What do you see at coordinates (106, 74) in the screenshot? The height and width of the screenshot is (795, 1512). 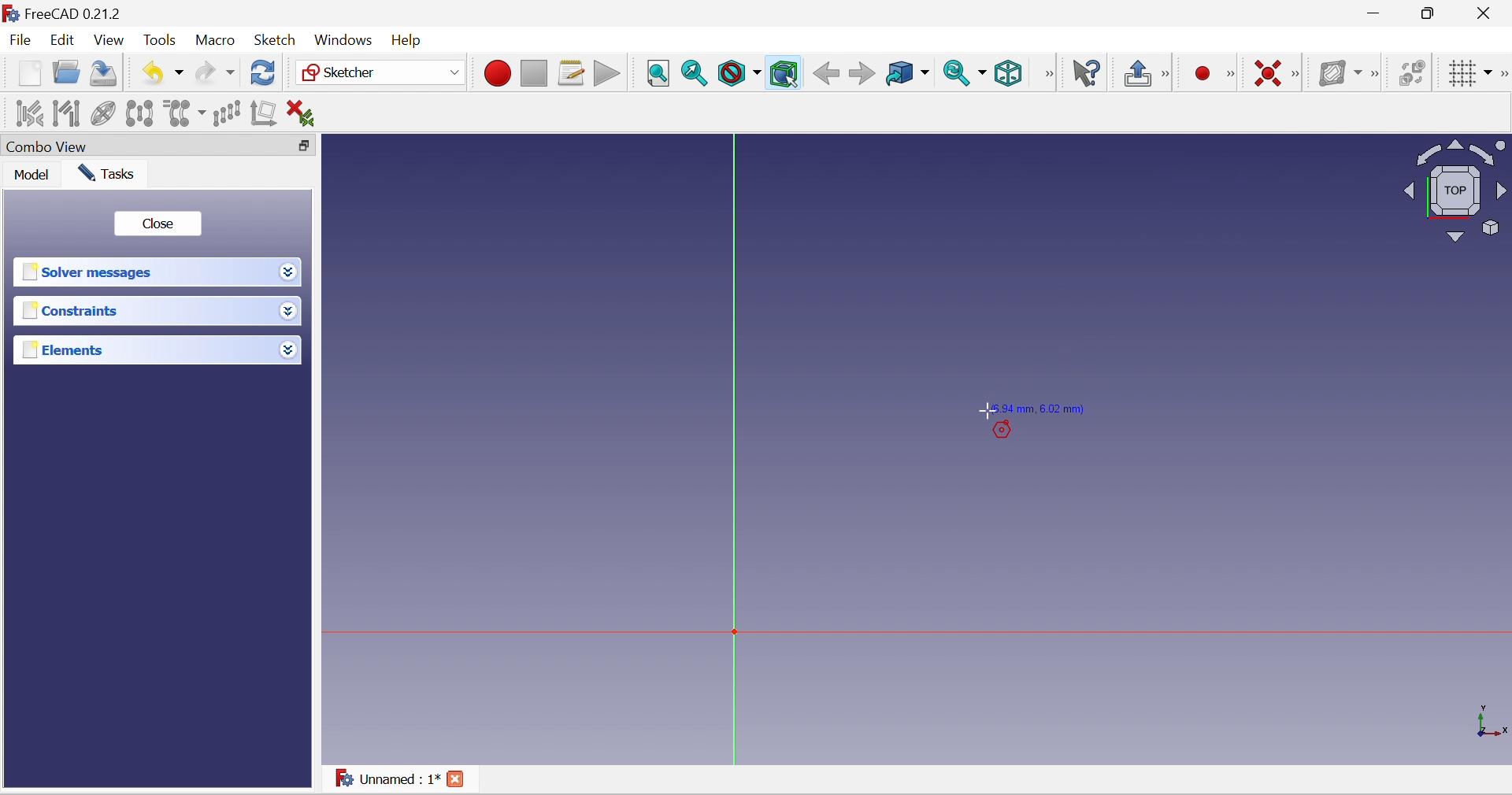 I see `Save` at bounding box center [106, 74].